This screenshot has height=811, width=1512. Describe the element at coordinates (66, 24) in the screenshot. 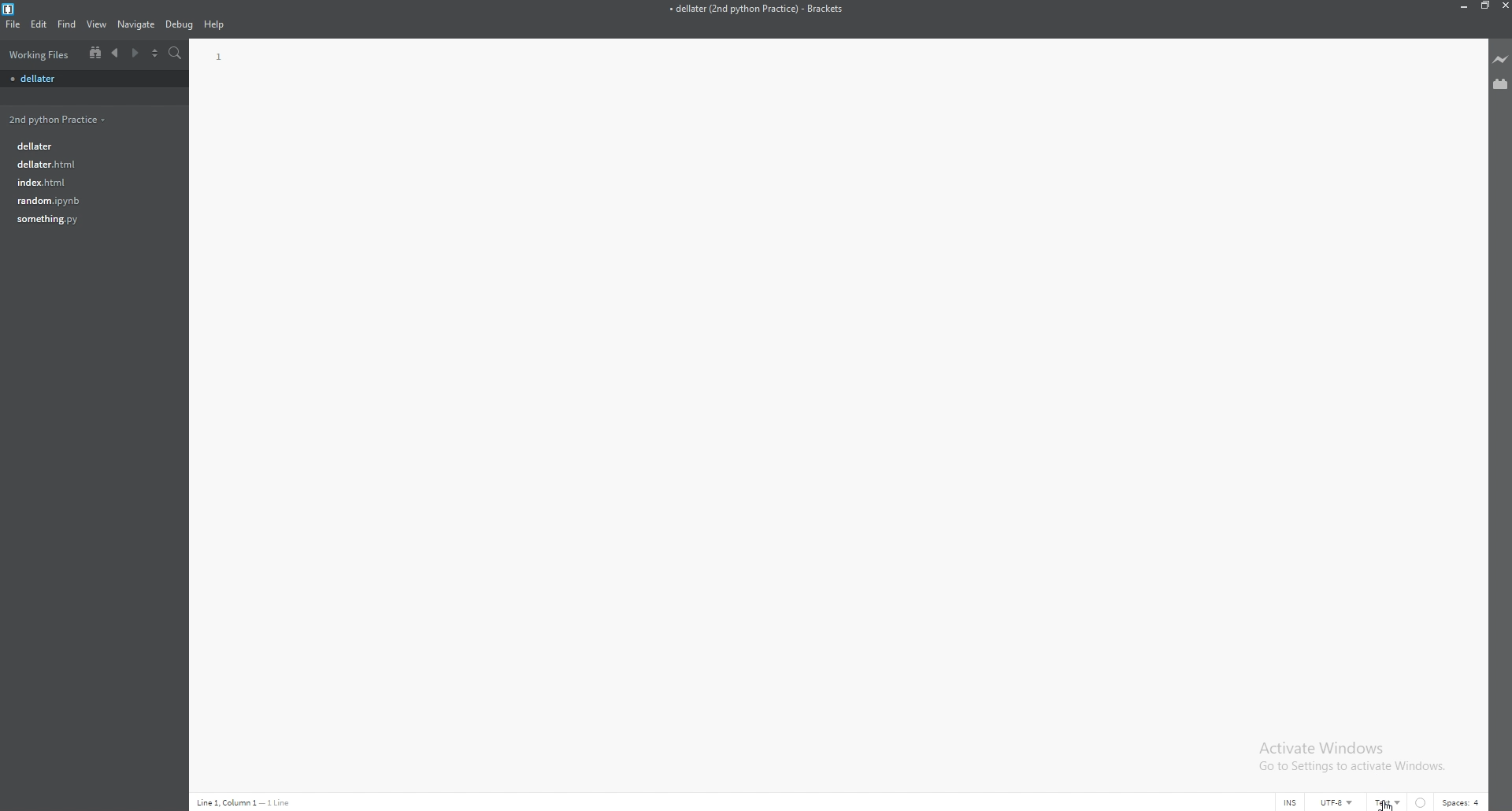

I see `find` at that location.